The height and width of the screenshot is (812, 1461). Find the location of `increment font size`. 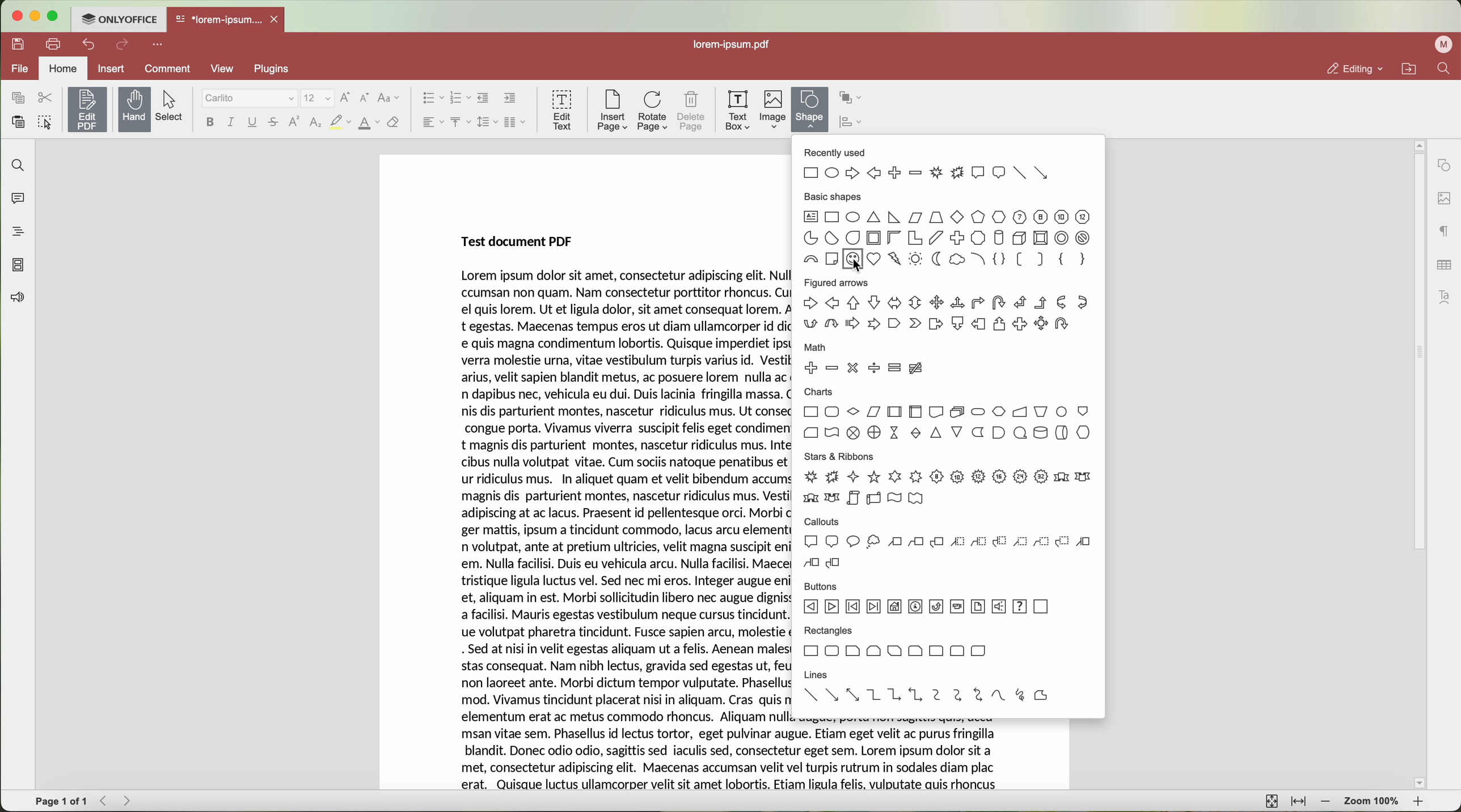

increment font size is located at coordinates (348, 96).